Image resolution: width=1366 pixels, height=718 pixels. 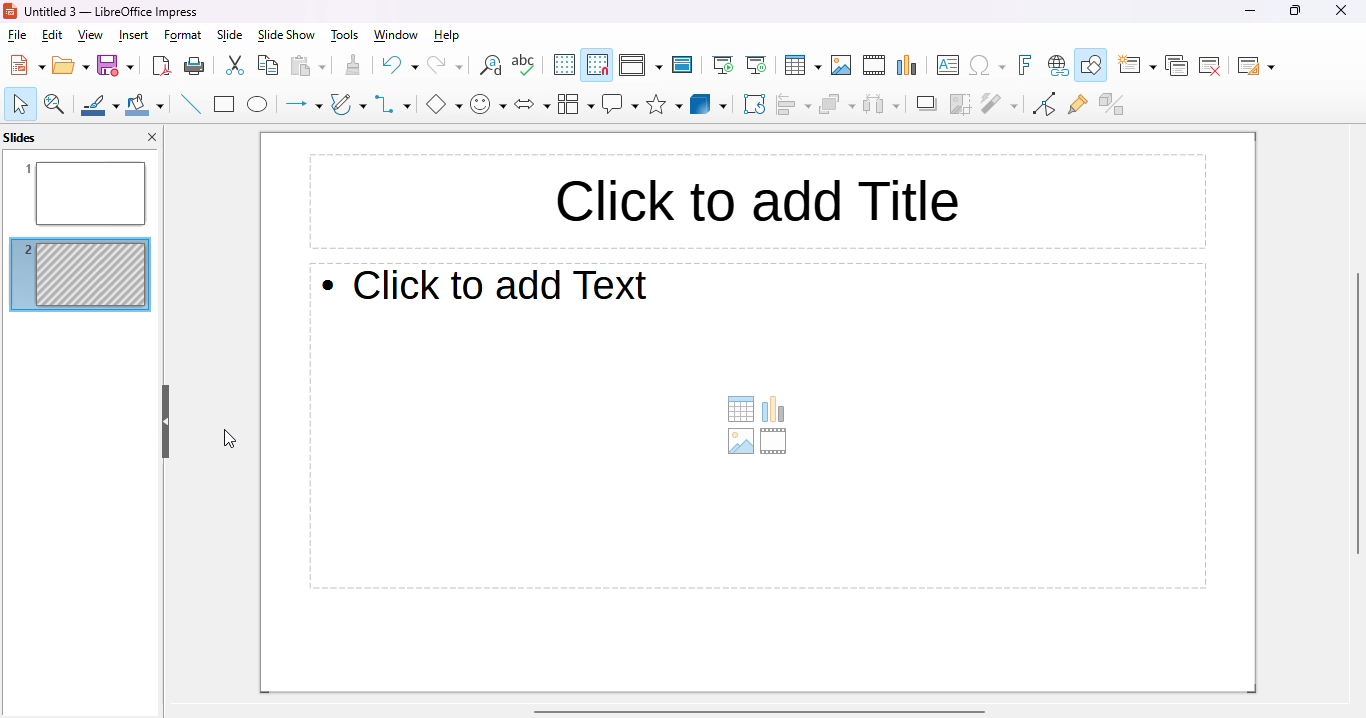 What do you see at coordinates (1026, 66) in the screenshot?
I see `insert fontwork text` at bounding box center [1026, 66].